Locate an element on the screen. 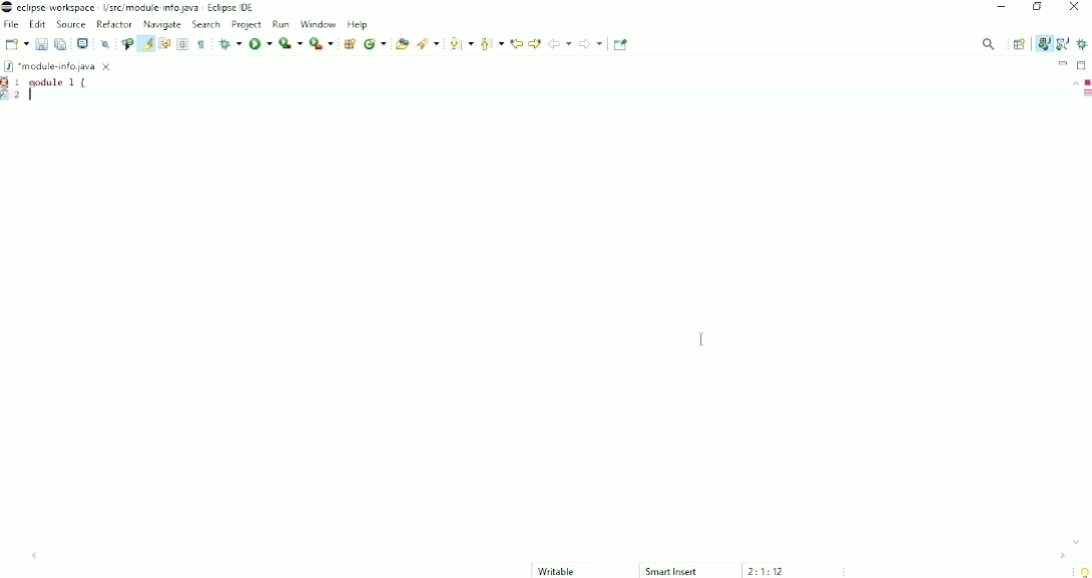  Debug is located at coordinates (1083, 44).